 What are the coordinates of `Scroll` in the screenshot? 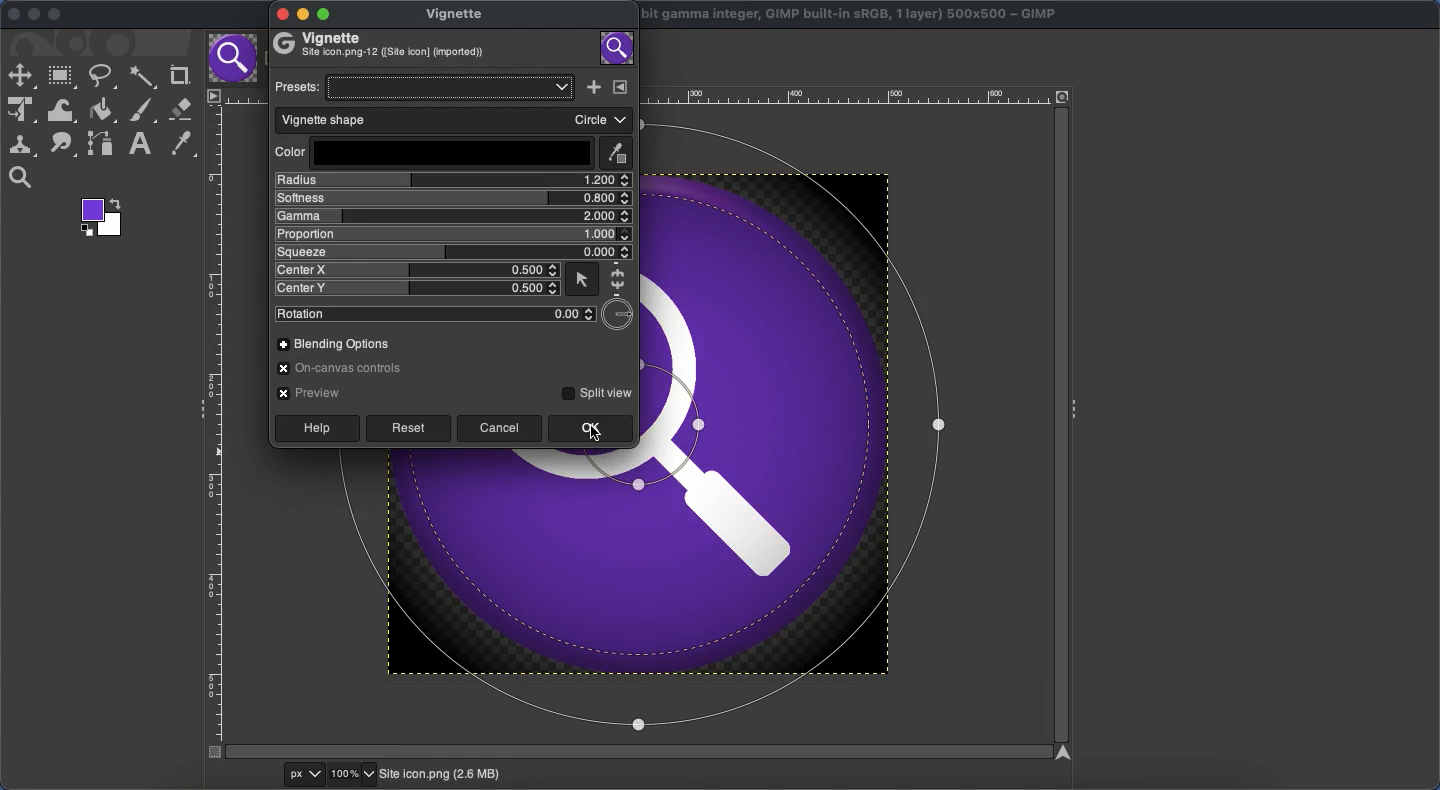 It's located at (1058, 427).